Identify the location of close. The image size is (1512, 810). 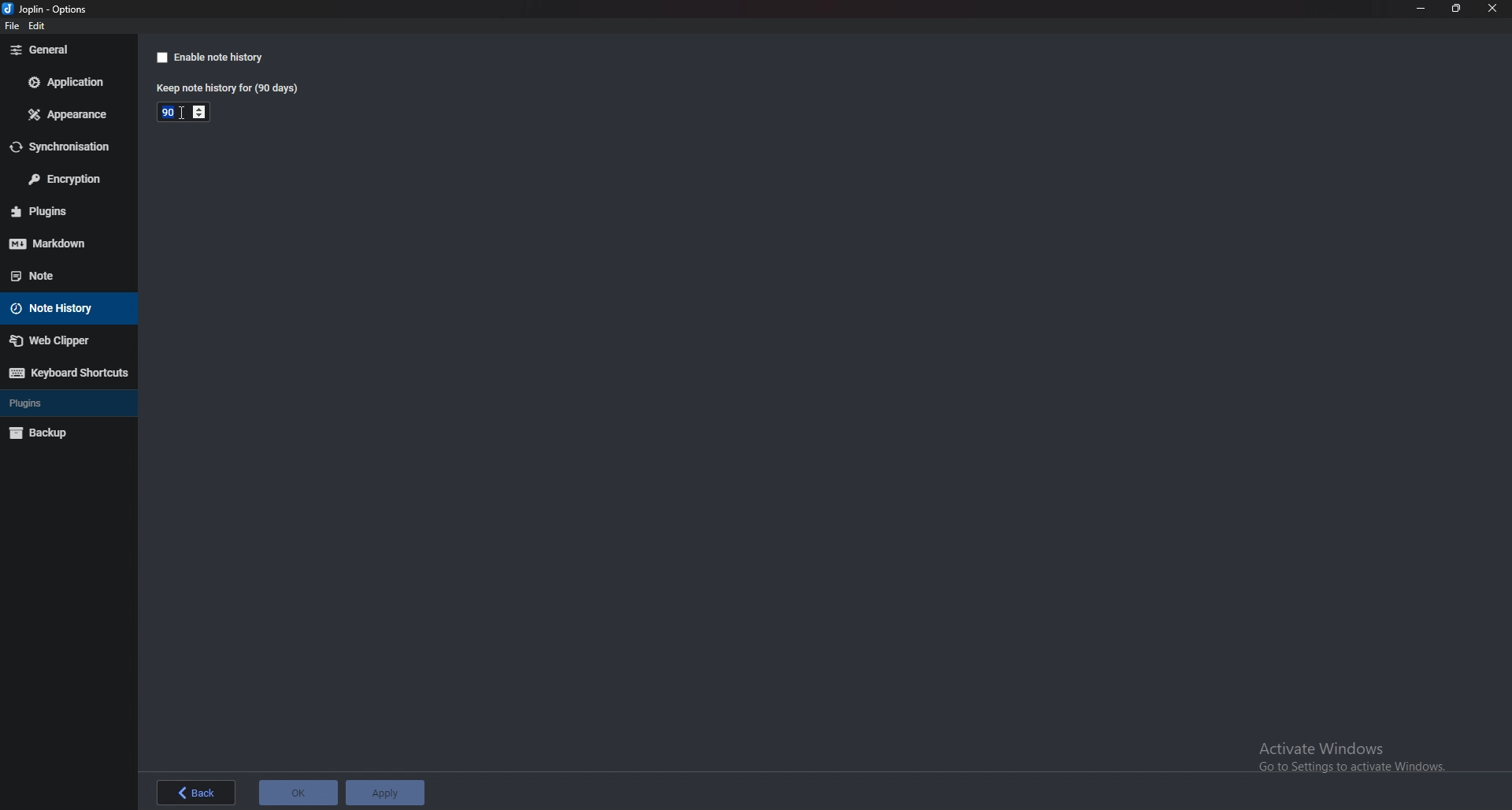
(1495, 9).